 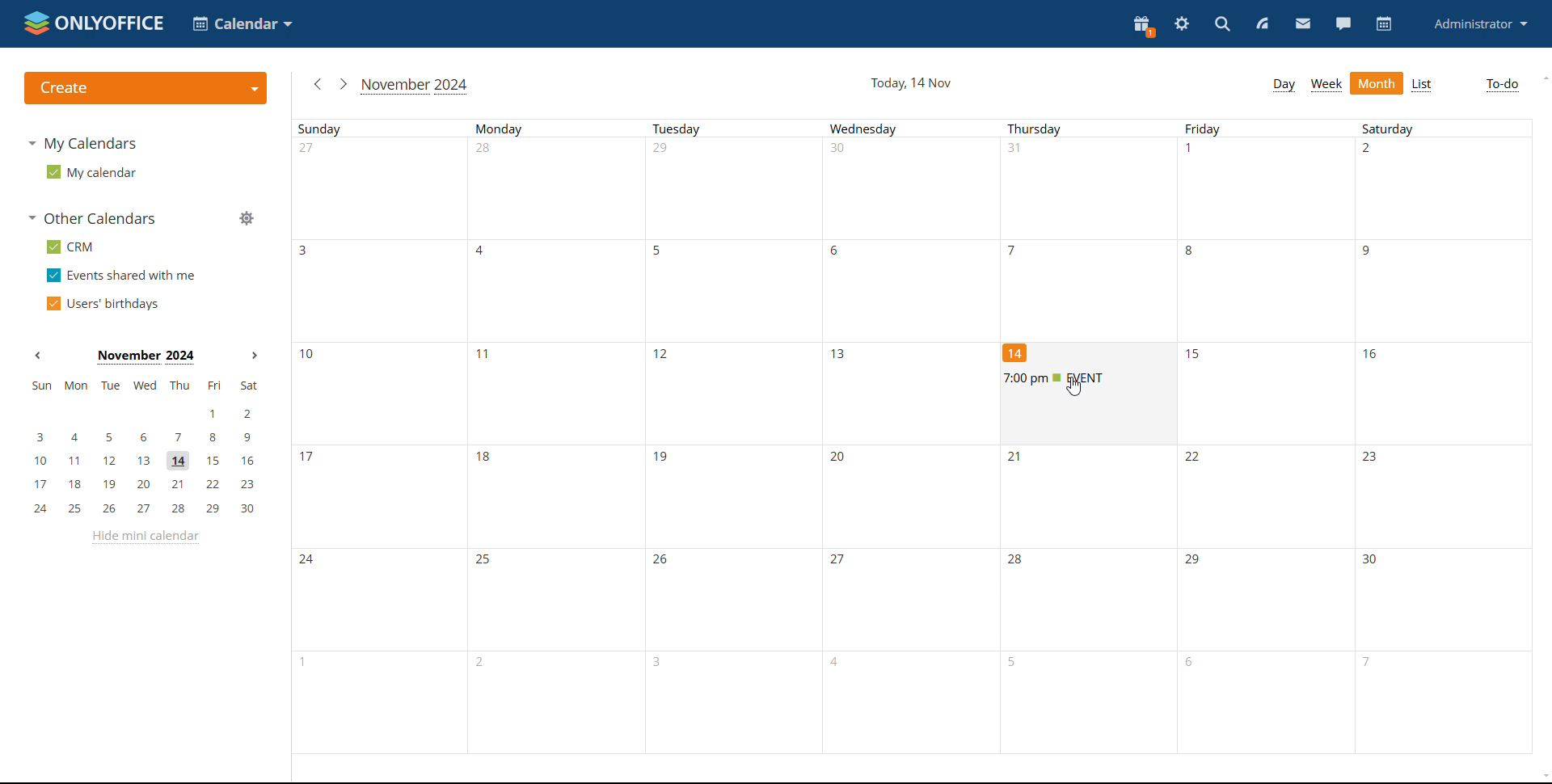 I want to click on month view, so click(x=1376, y=83).